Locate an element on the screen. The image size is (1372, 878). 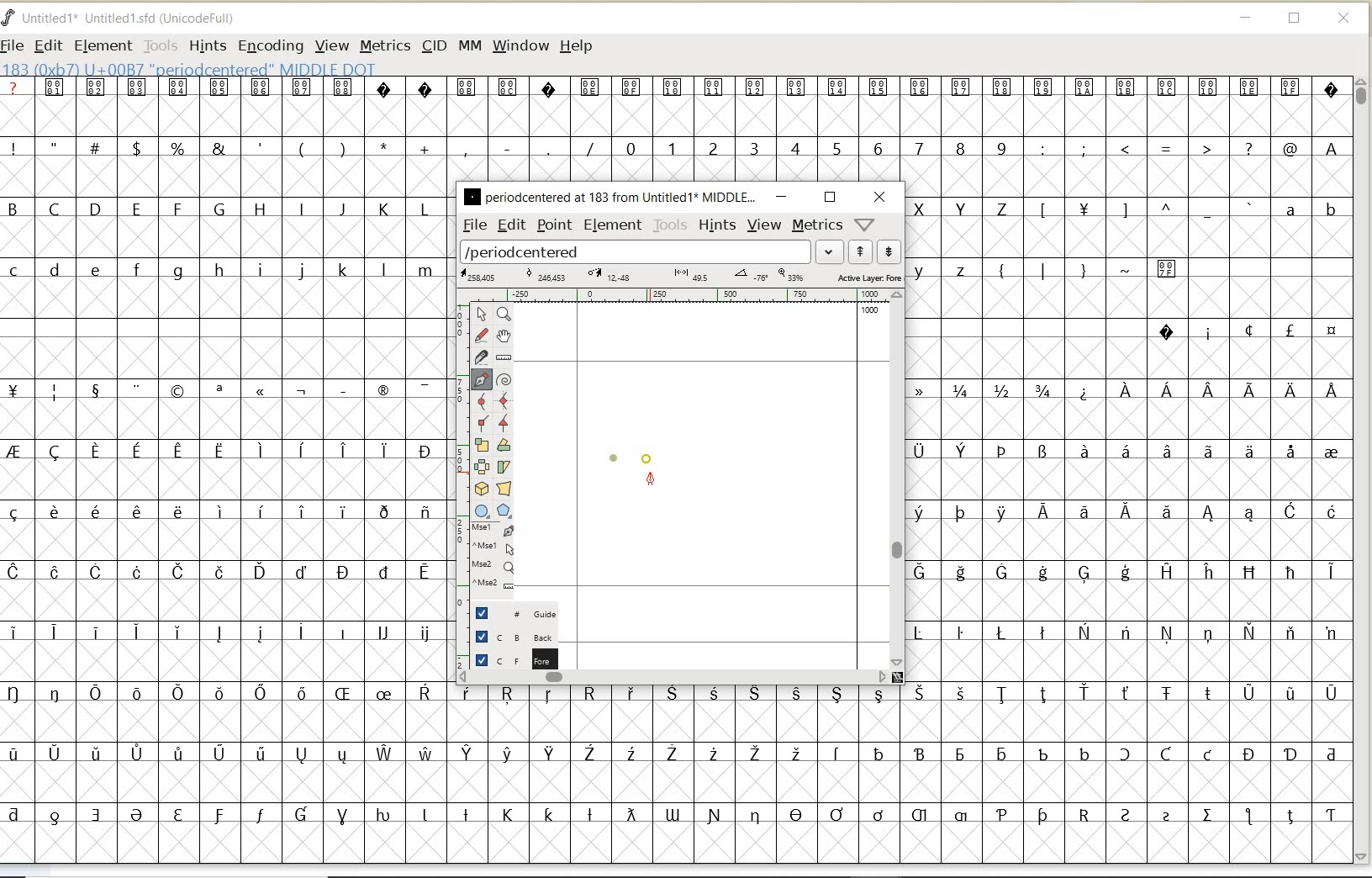
guide is located at coordinates (510, 614).